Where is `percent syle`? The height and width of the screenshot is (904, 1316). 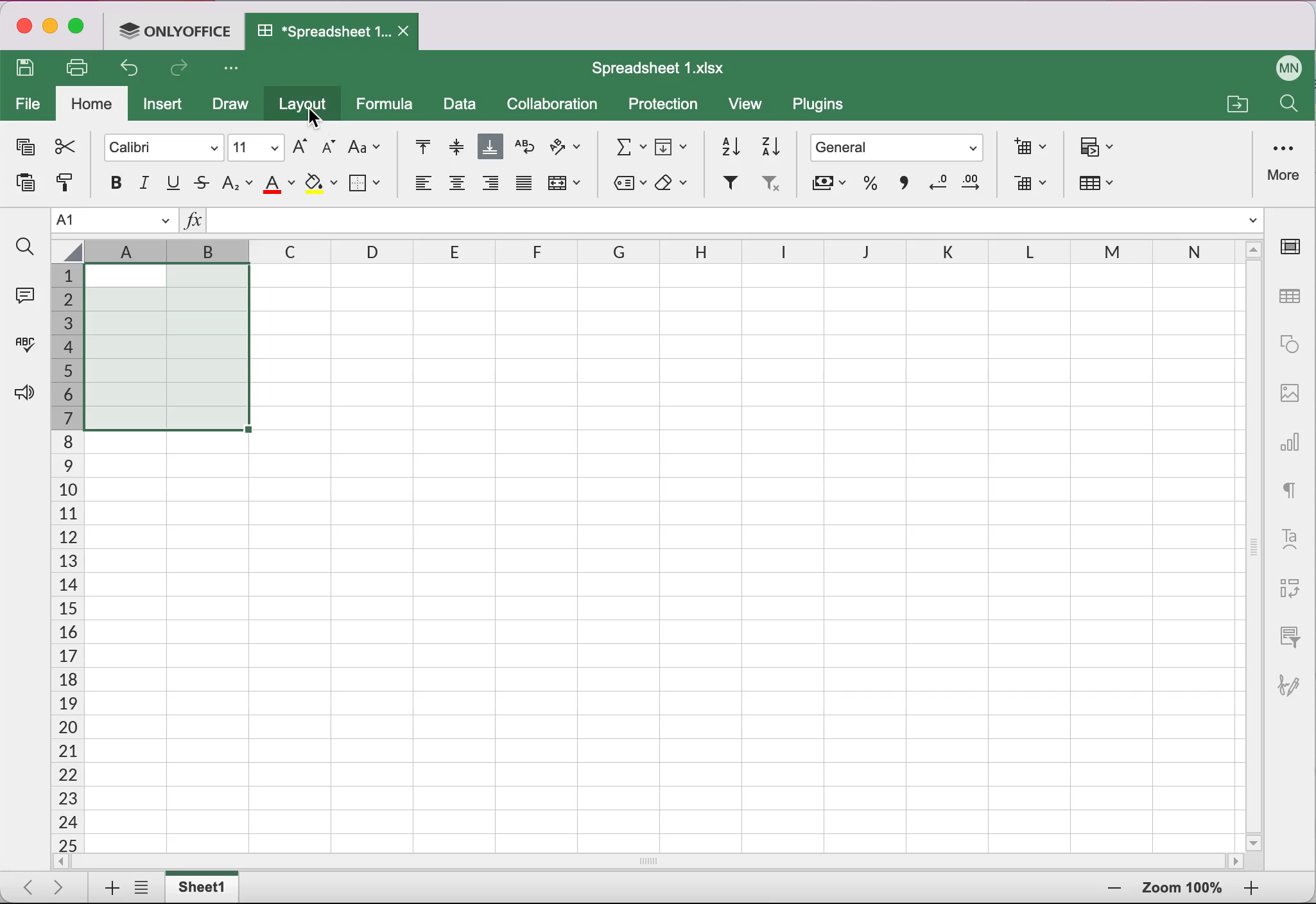
percent syle is located at coordinates (868, 186).